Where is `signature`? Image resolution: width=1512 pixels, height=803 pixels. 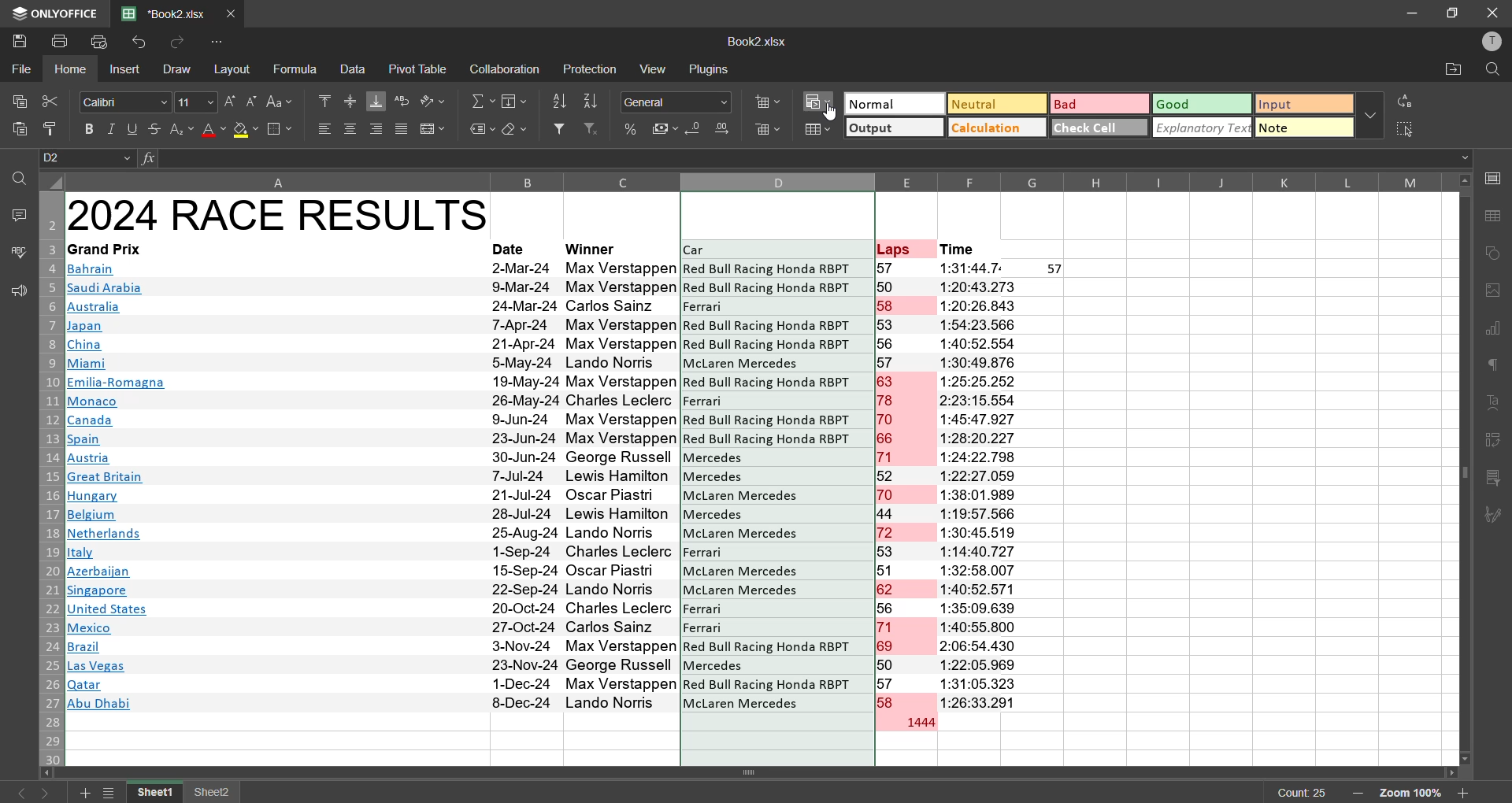
signature is located at coordinates (1494, 516).